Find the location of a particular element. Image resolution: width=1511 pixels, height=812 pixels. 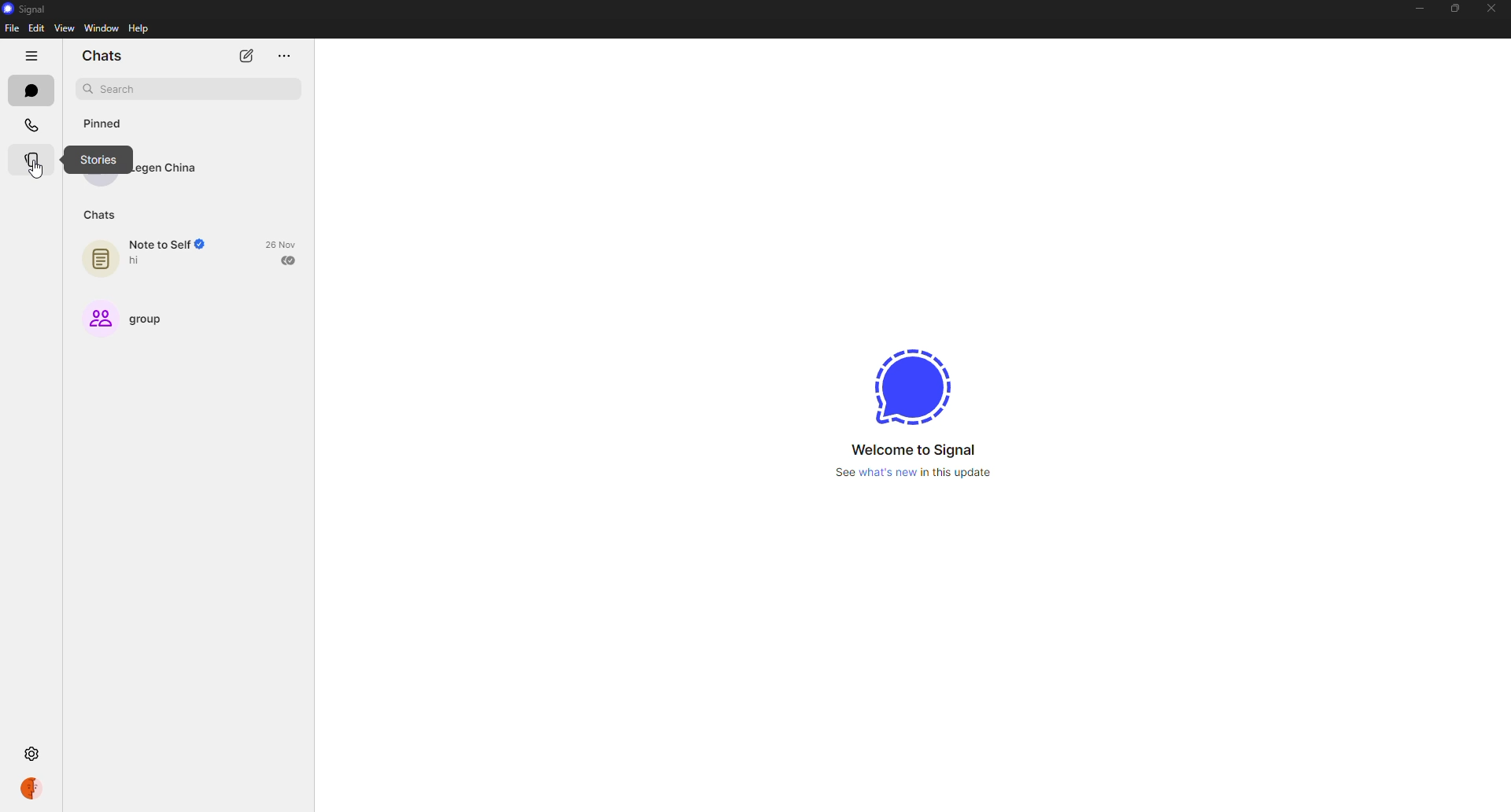

chats is located at coordinates (103, 55).